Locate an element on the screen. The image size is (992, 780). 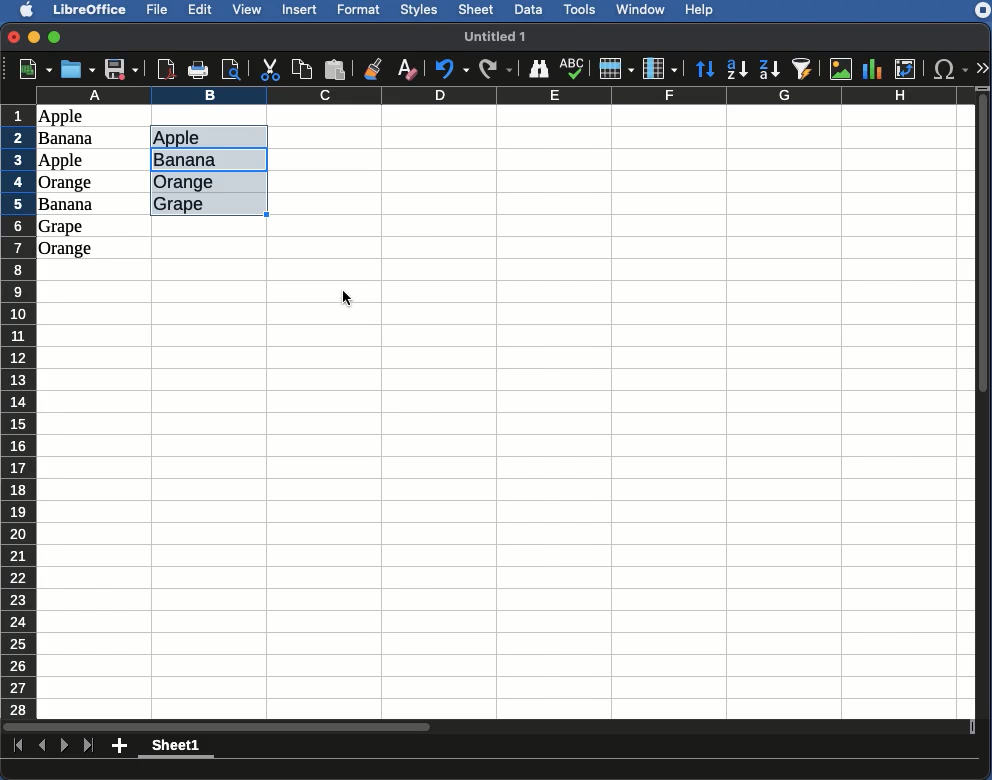
First sheet is located at coordinates (15, 746).